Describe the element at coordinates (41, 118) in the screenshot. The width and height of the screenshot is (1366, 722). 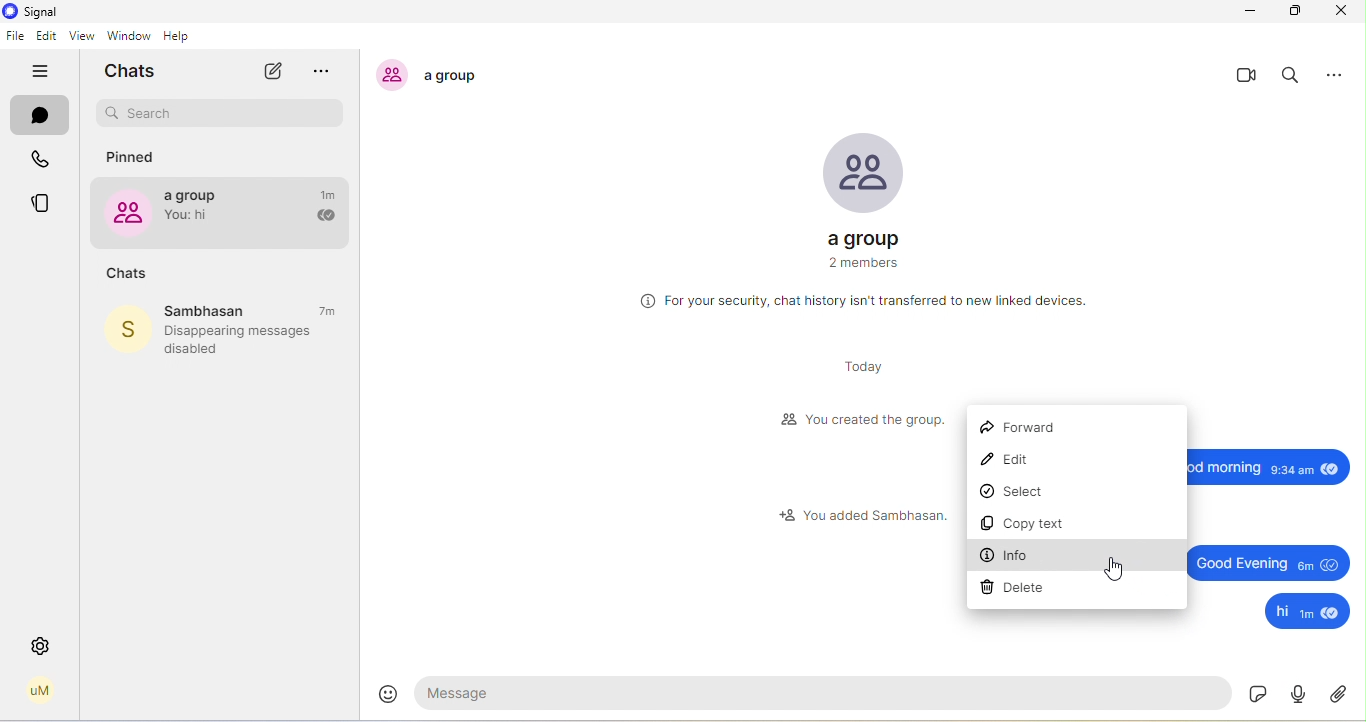
I see `chat` at that location.